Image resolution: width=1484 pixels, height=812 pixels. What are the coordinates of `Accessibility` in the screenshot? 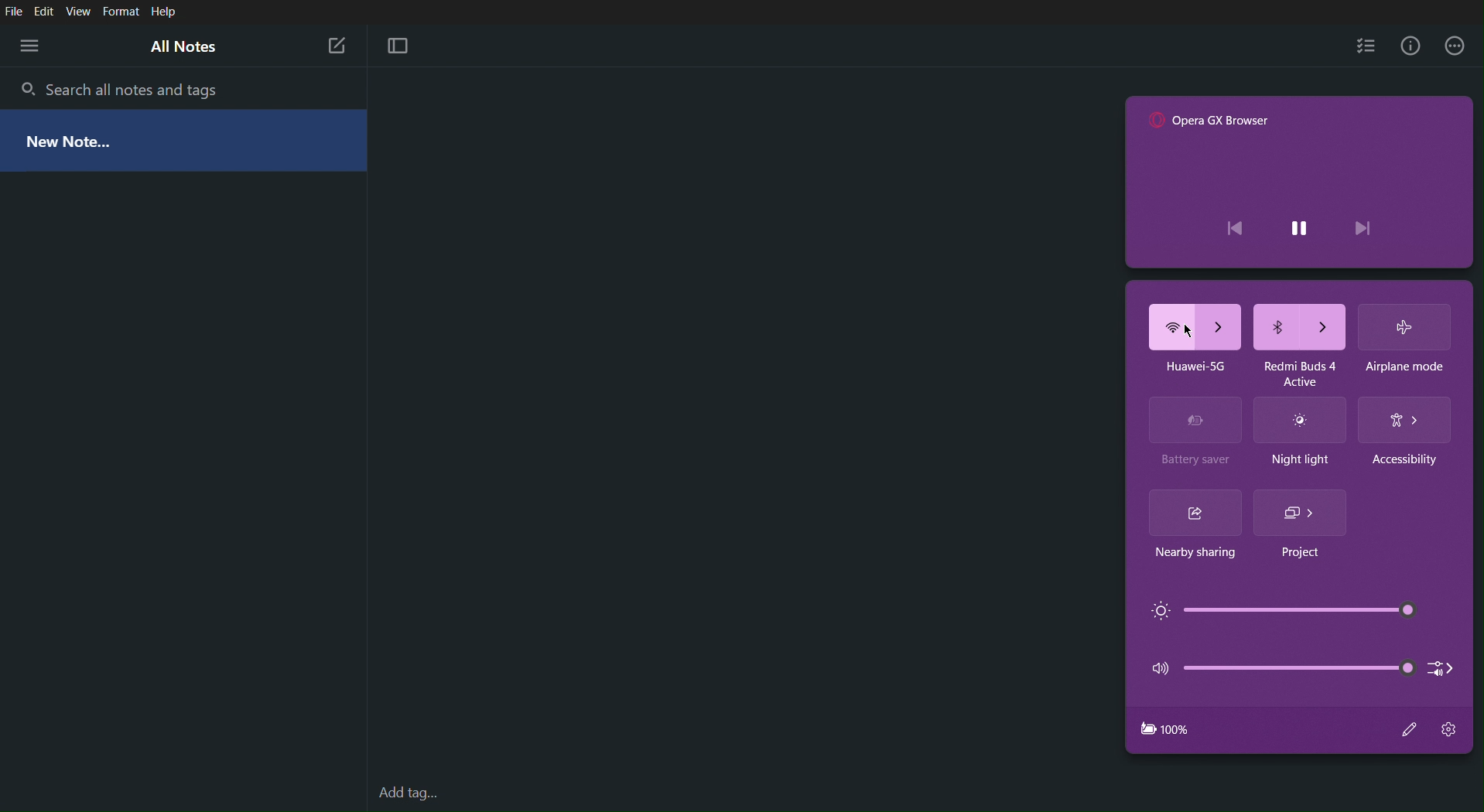 It's located at (1407, 466).